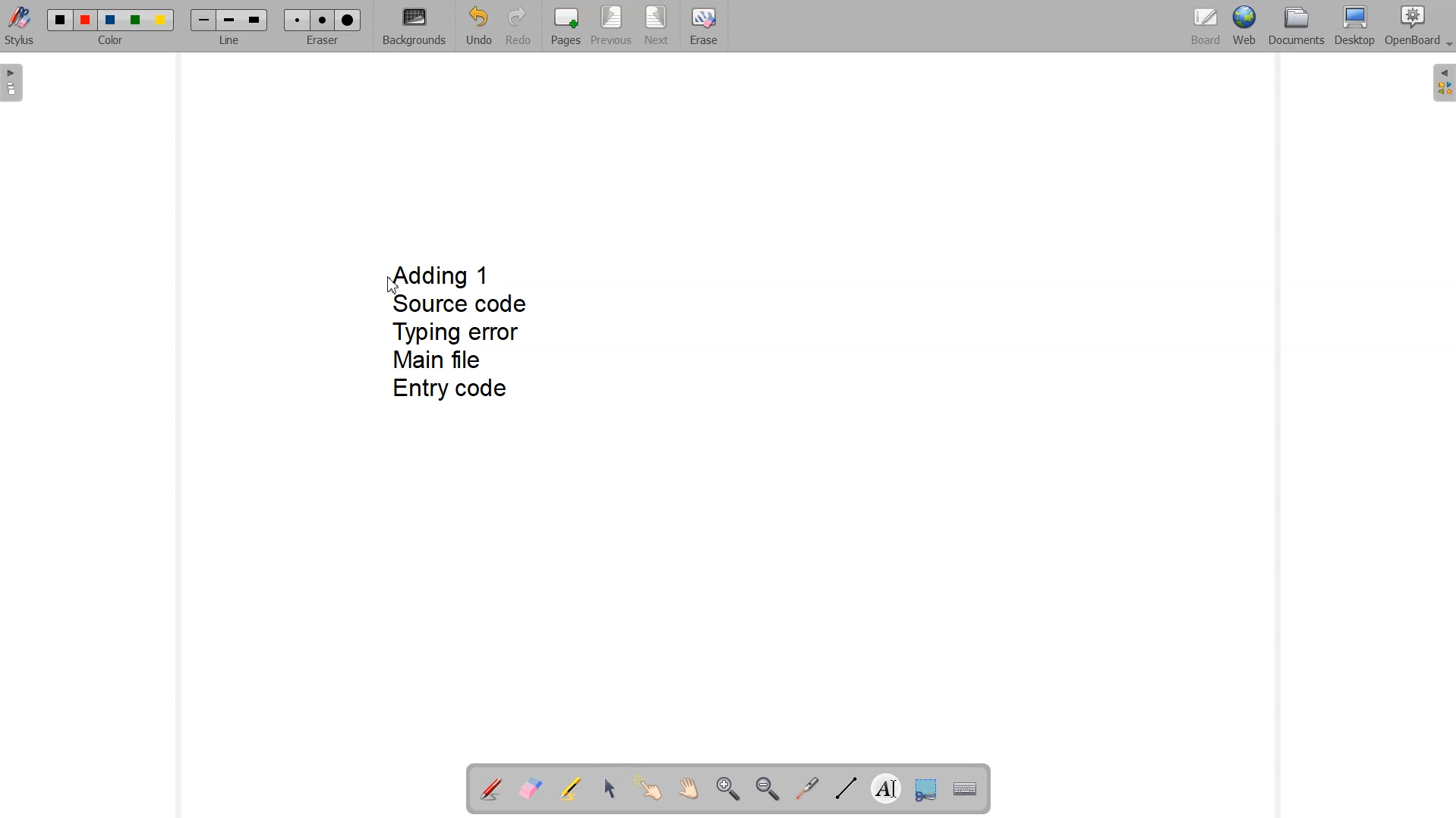 This screenshot has height=818, width=1456. I want to click on Undo, so click(477, 26).